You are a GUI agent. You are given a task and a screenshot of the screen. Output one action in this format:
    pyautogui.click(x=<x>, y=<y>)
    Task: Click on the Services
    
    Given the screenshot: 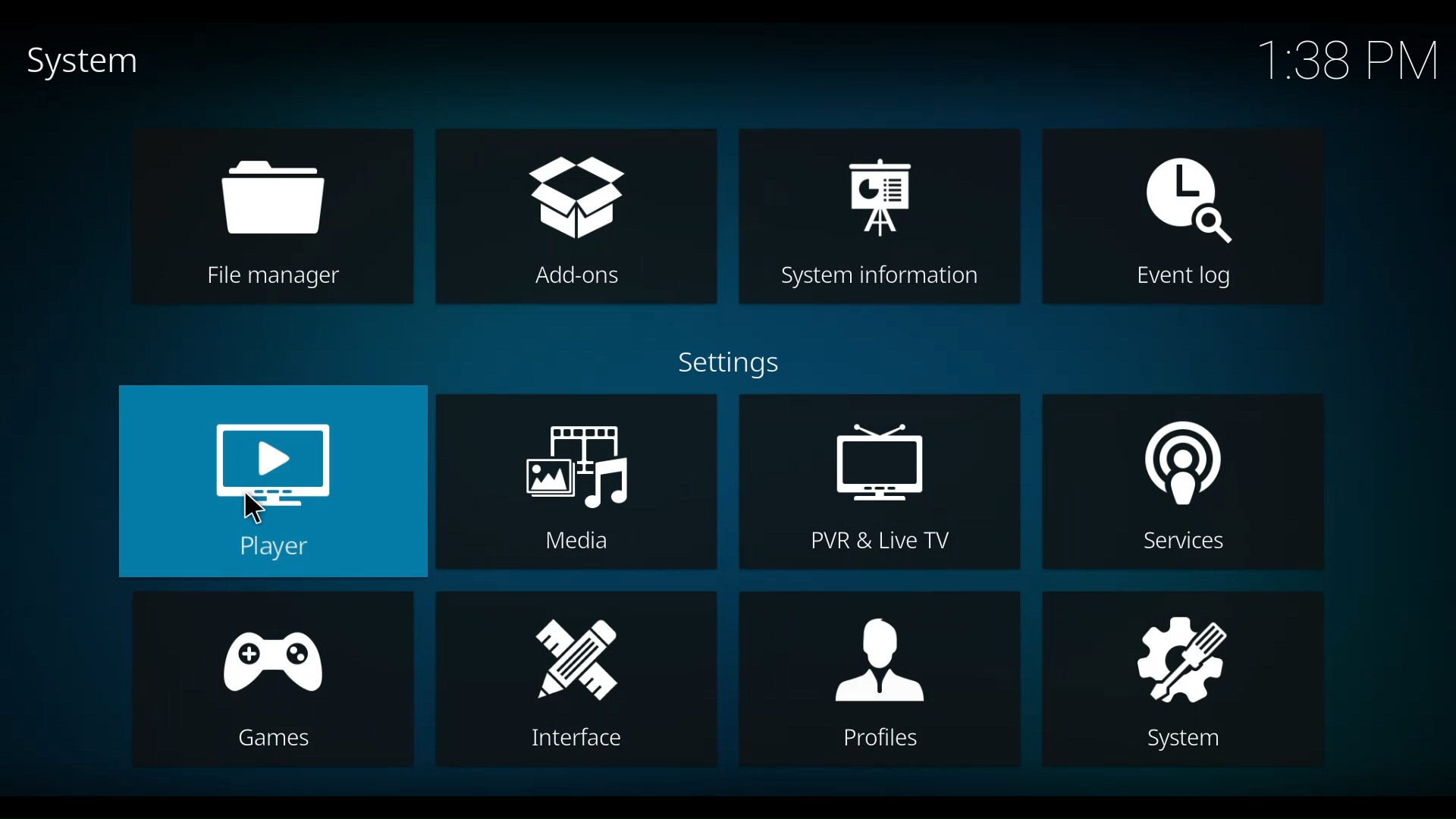 What is the action you would take?
    pyautogui.click(x=1185, y=482)
    